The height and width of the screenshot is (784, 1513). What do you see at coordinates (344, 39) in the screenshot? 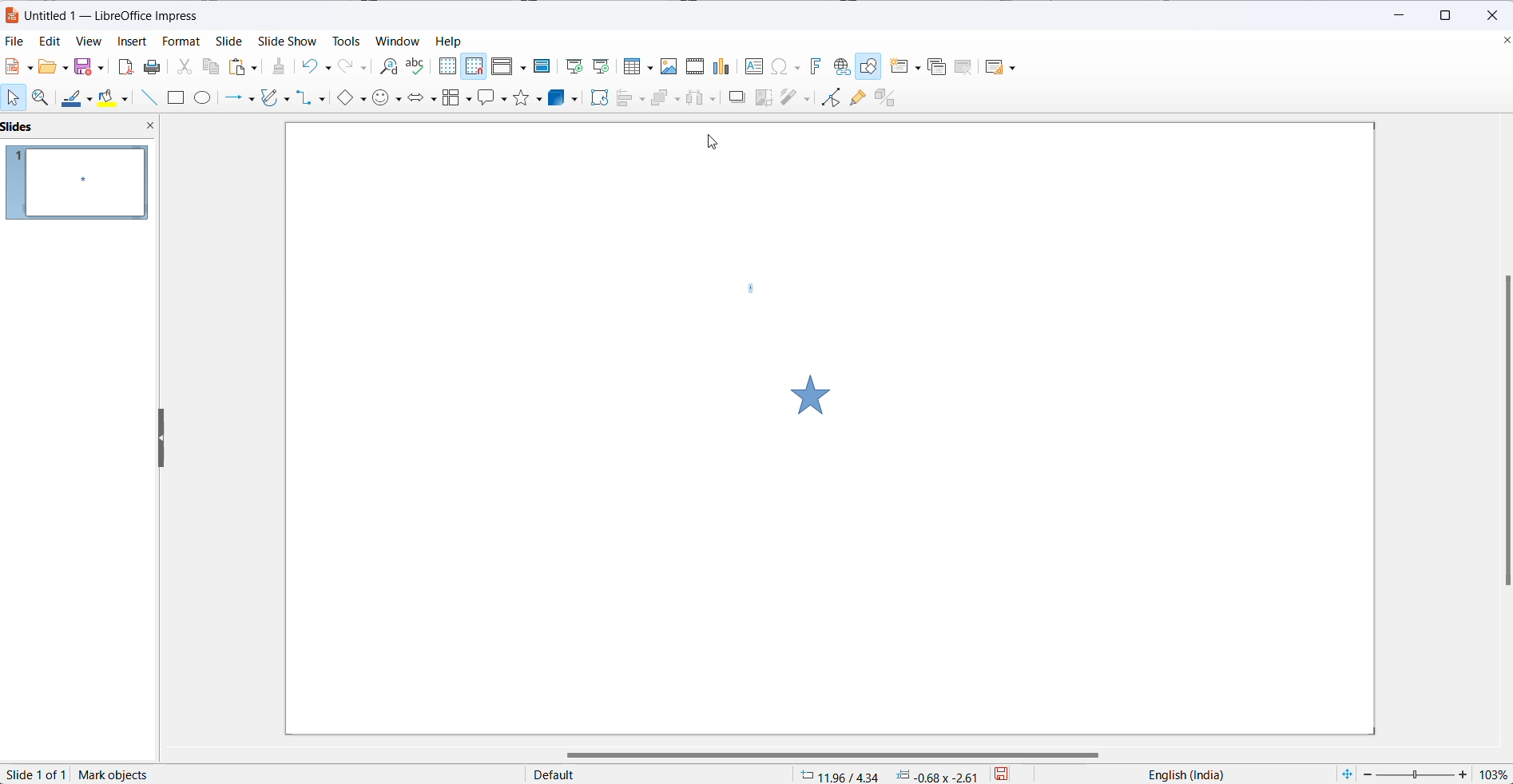
I see `tools` at bounding box center [344, 39].